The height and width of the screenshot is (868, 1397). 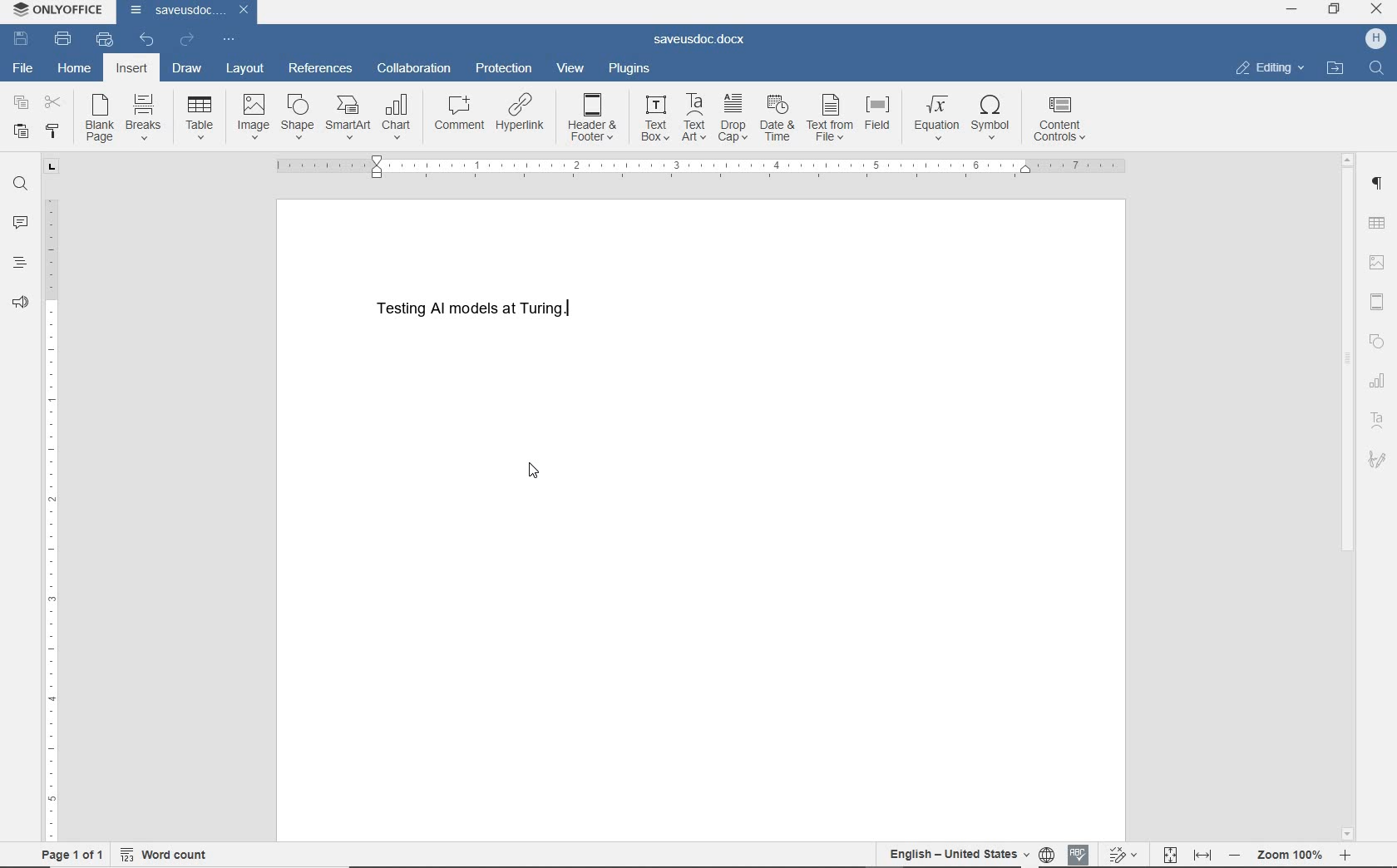 I want to click on cut, so click(x=55, y=102).